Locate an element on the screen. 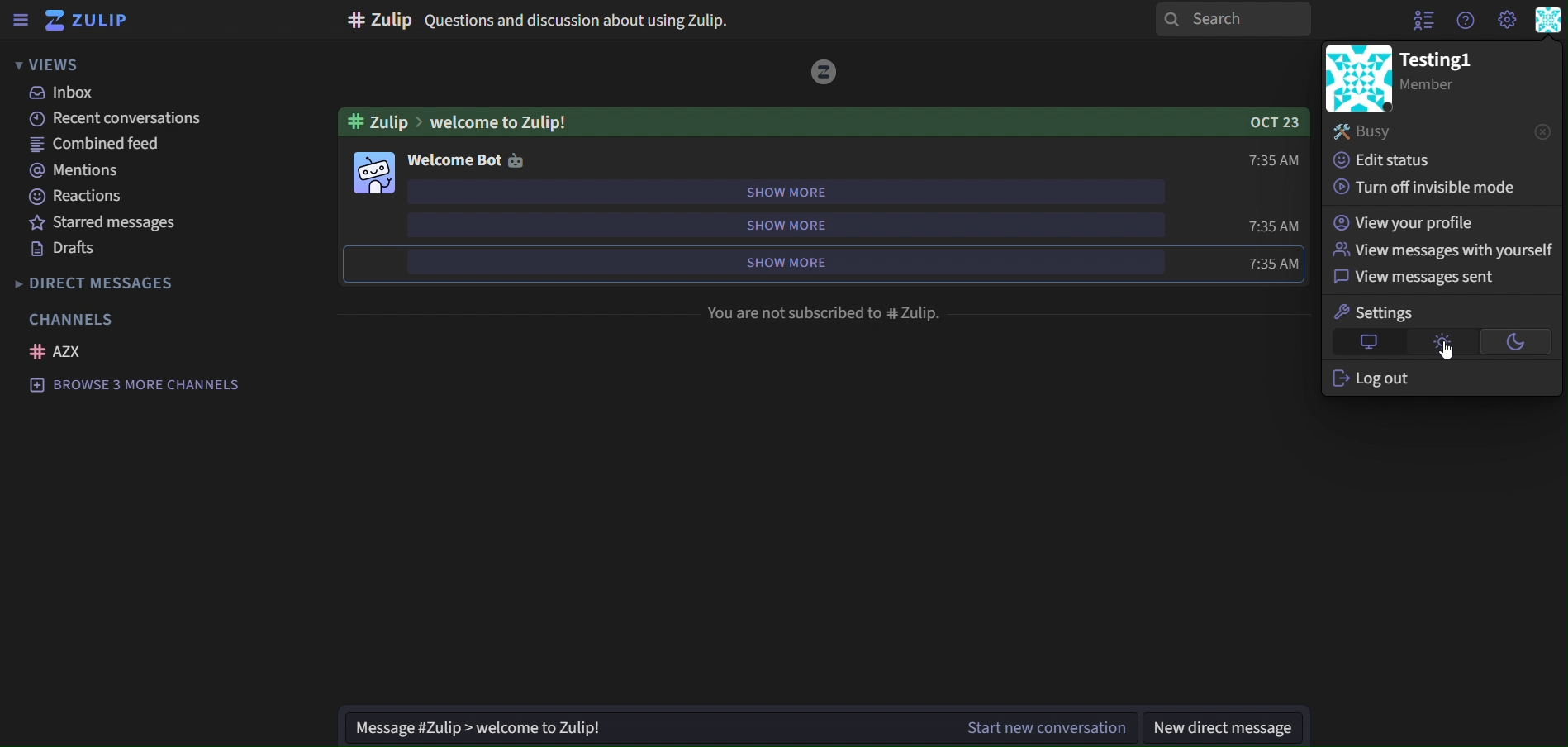  drafts is located at coordinates (66, 250).